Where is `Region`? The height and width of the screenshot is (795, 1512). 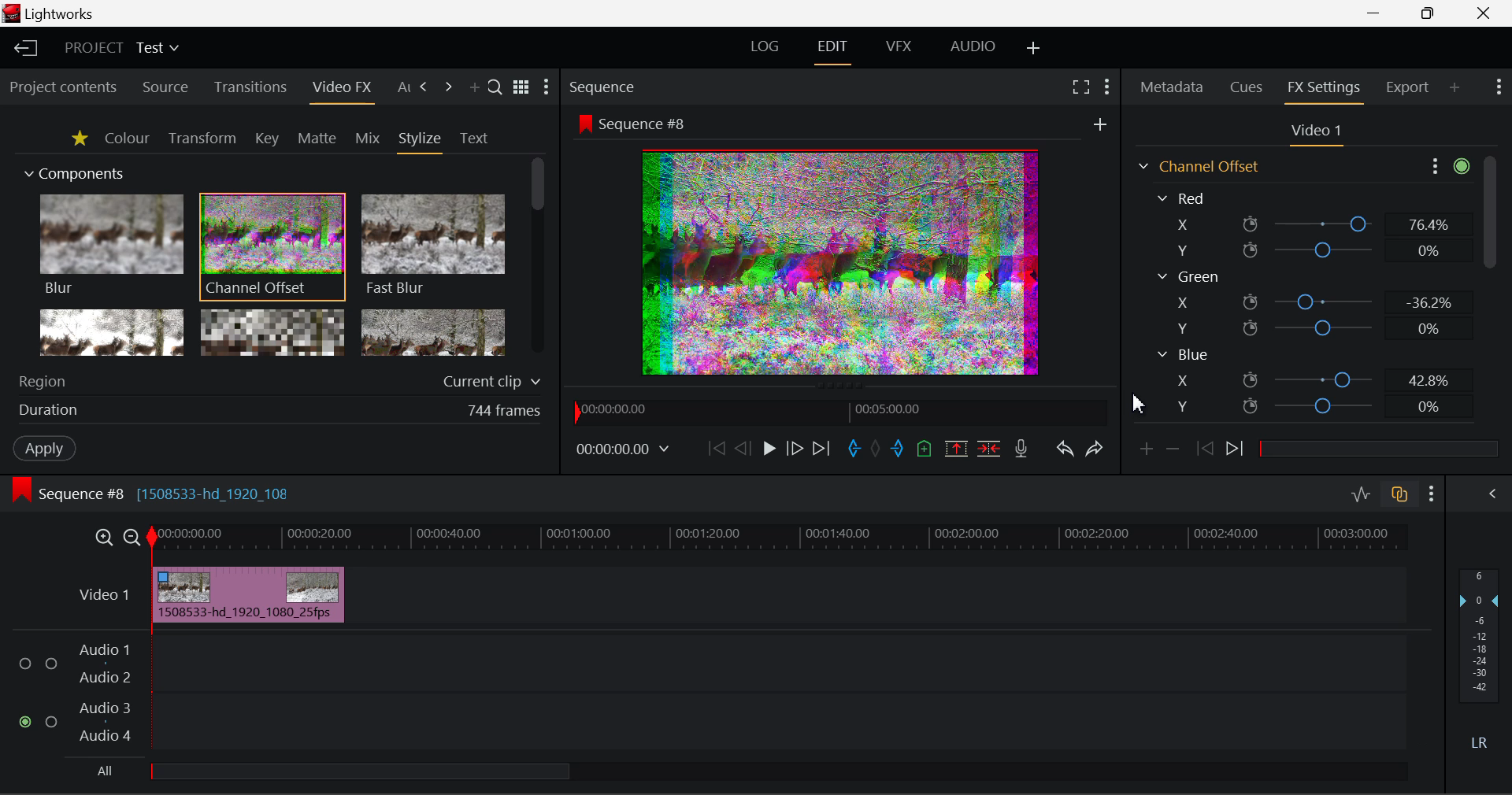 Region is located at coordinates (283, 379).